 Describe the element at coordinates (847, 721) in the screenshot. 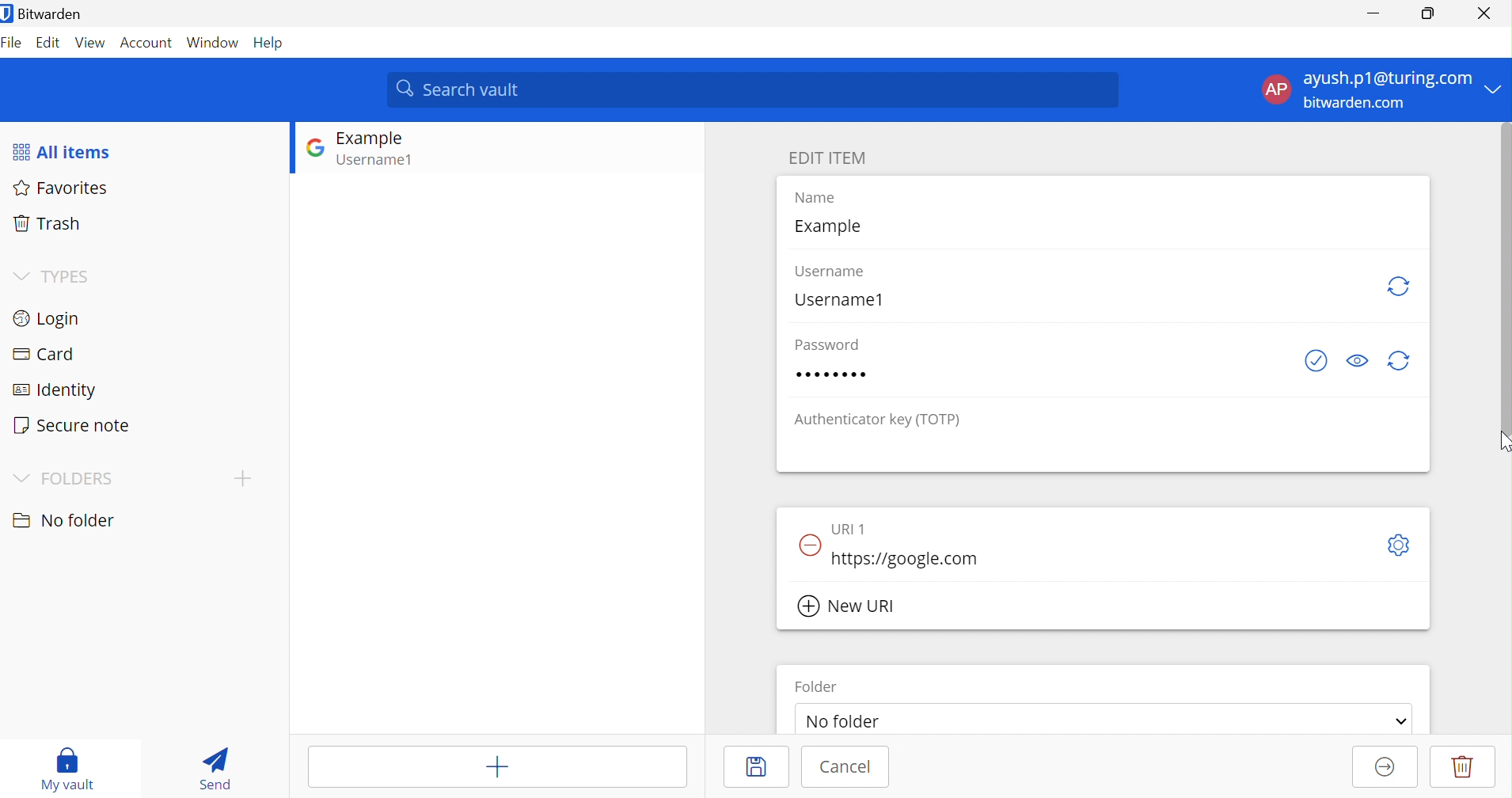

I see `No folder` at that location.